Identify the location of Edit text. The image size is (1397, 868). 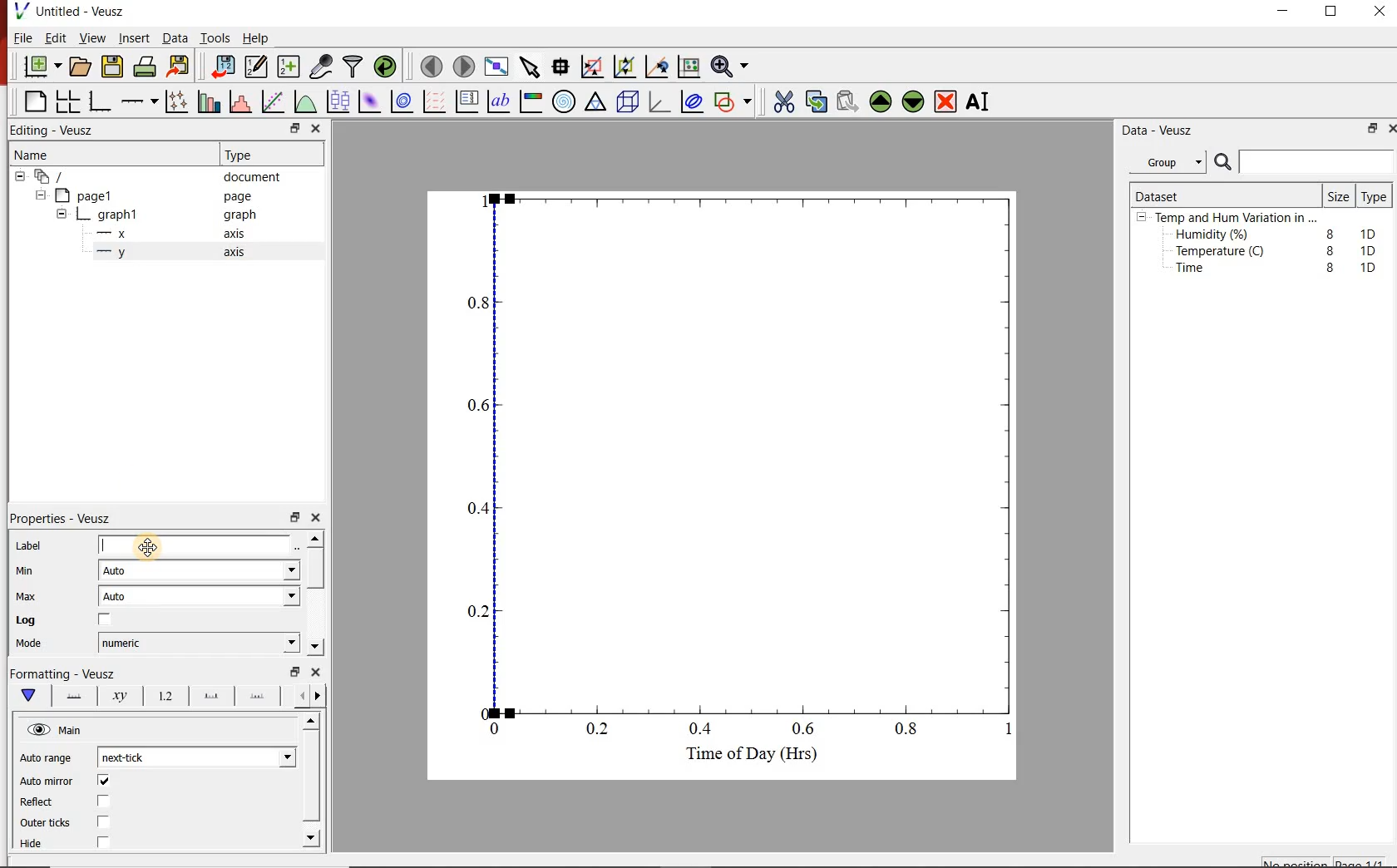
(300, 545).